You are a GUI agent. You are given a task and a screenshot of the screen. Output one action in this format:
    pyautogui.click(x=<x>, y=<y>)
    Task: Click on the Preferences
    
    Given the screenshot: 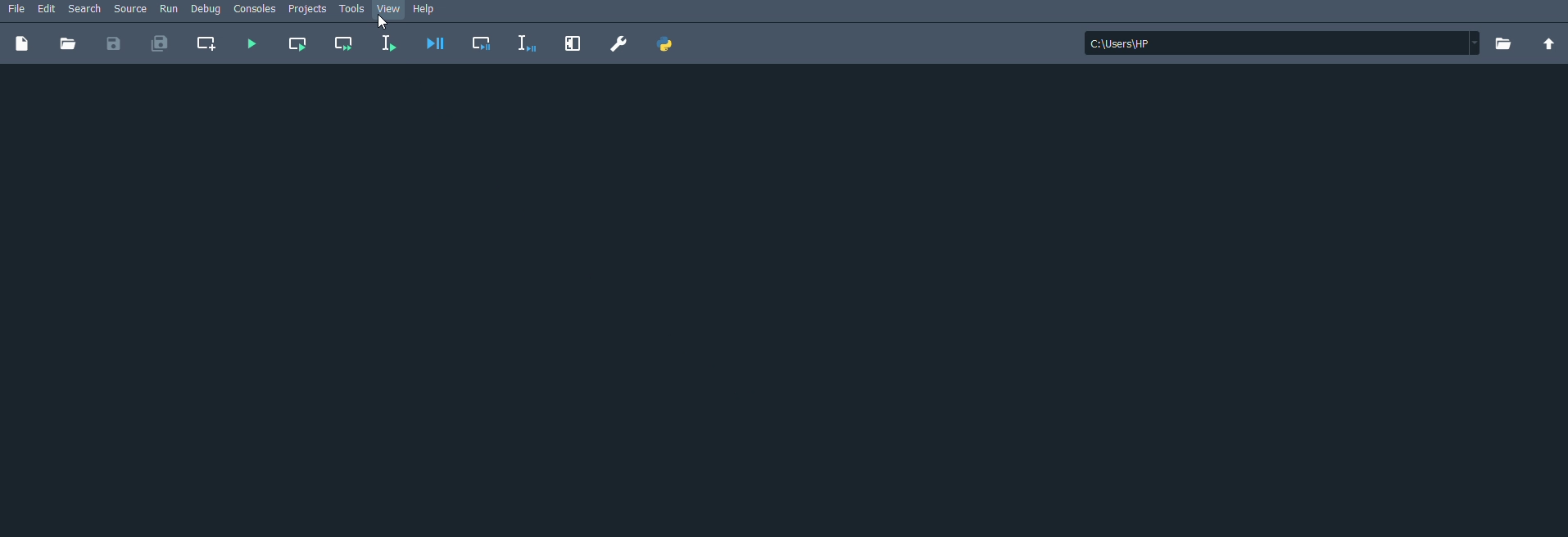 What is the action you would take?
    pyautogui.click(x=617, y=43)
    